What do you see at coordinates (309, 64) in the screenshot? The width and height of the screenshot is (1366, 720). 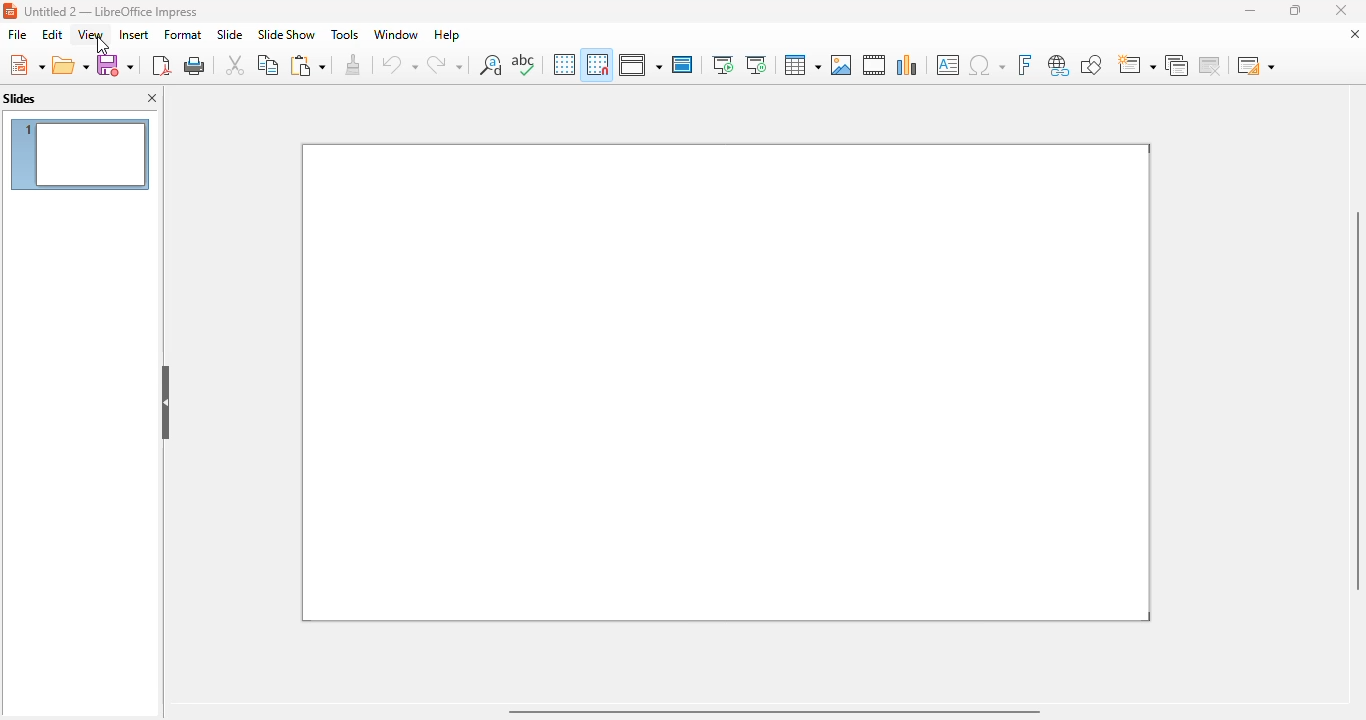 I see `paste` at bounding box center [309, 64].